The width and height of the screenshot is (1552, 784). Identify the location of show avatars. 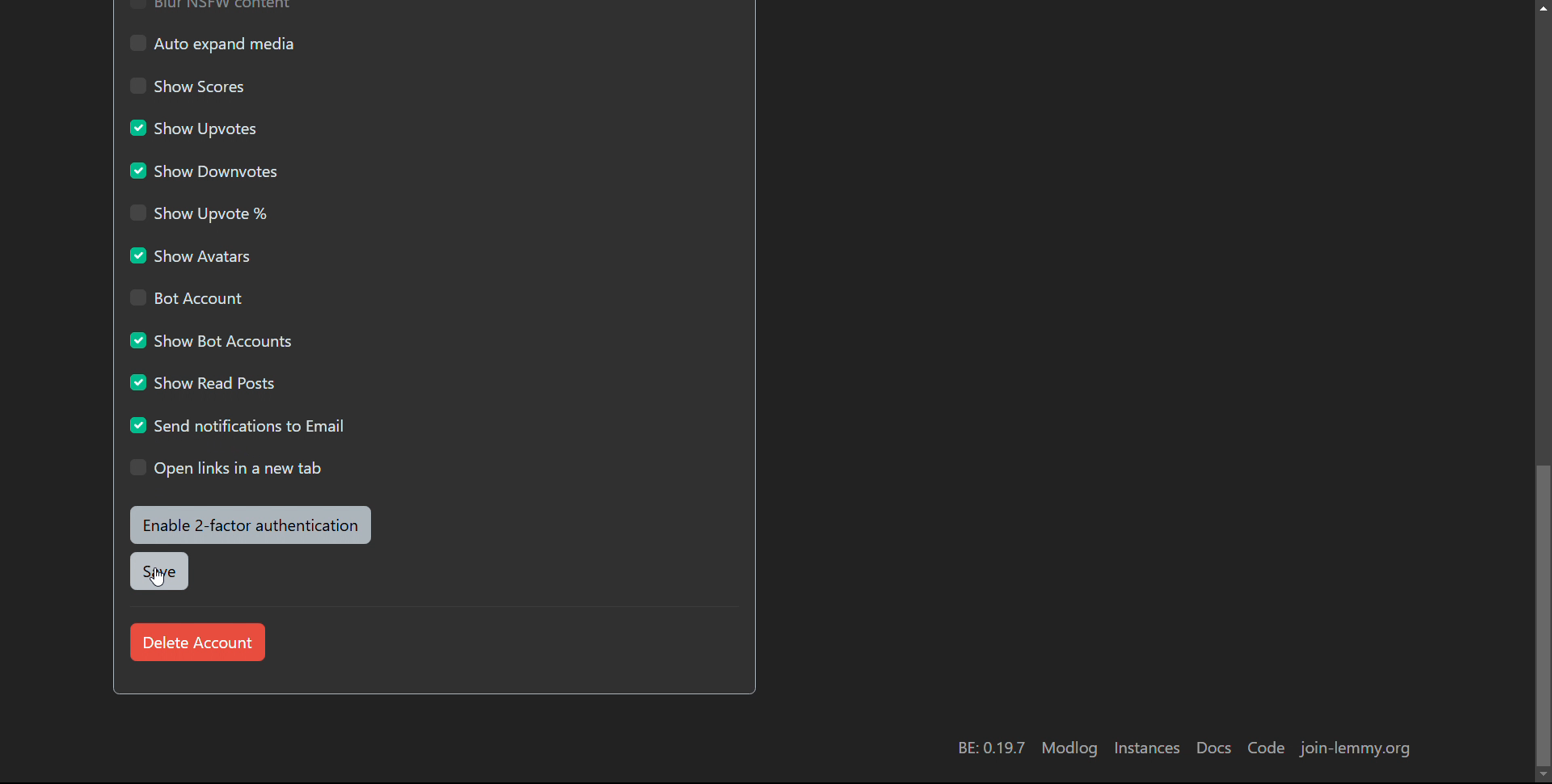
(192, 255).